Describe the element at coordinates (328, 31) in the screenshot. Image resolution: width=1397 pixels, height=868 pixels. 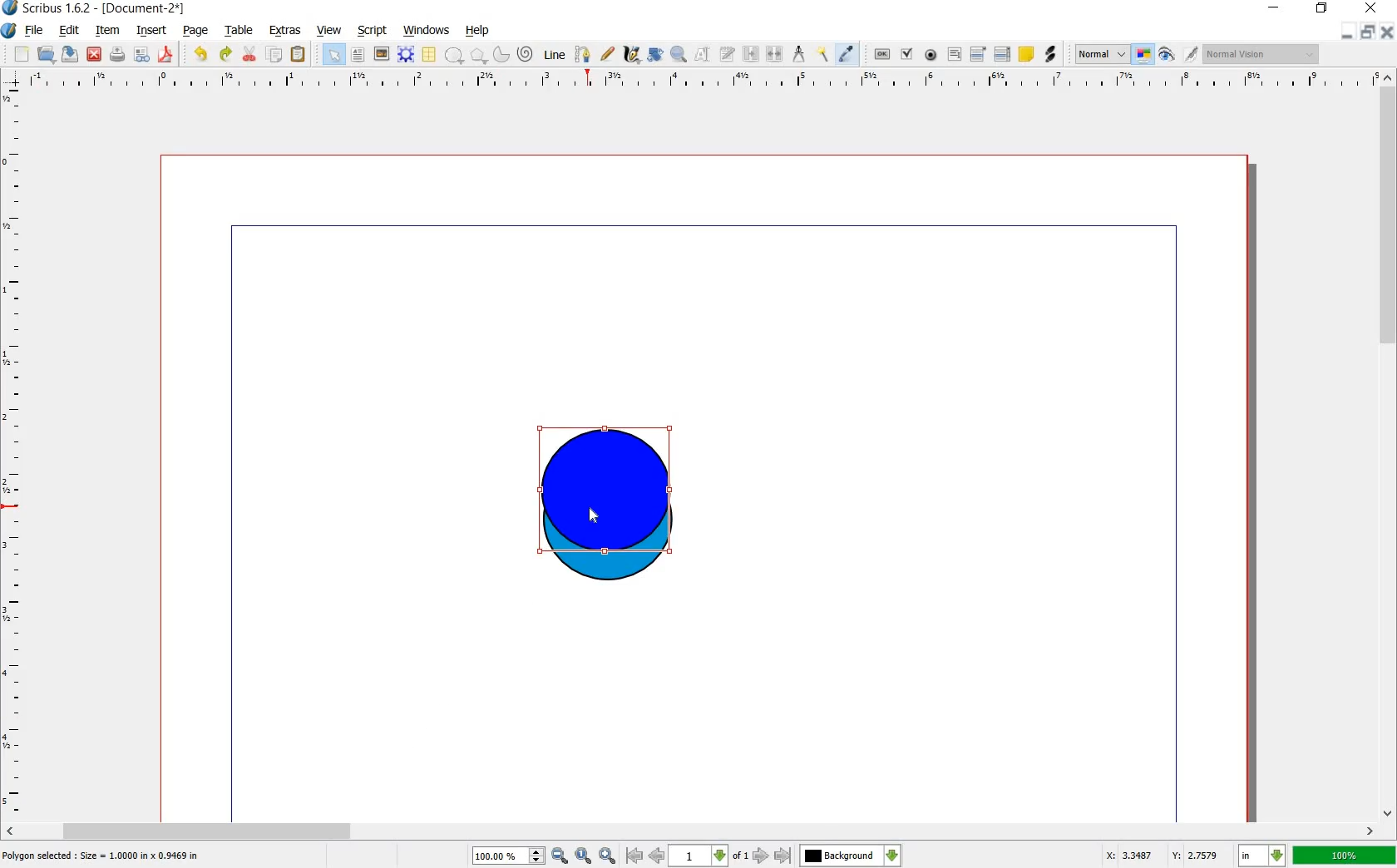
I see `view` at that location.